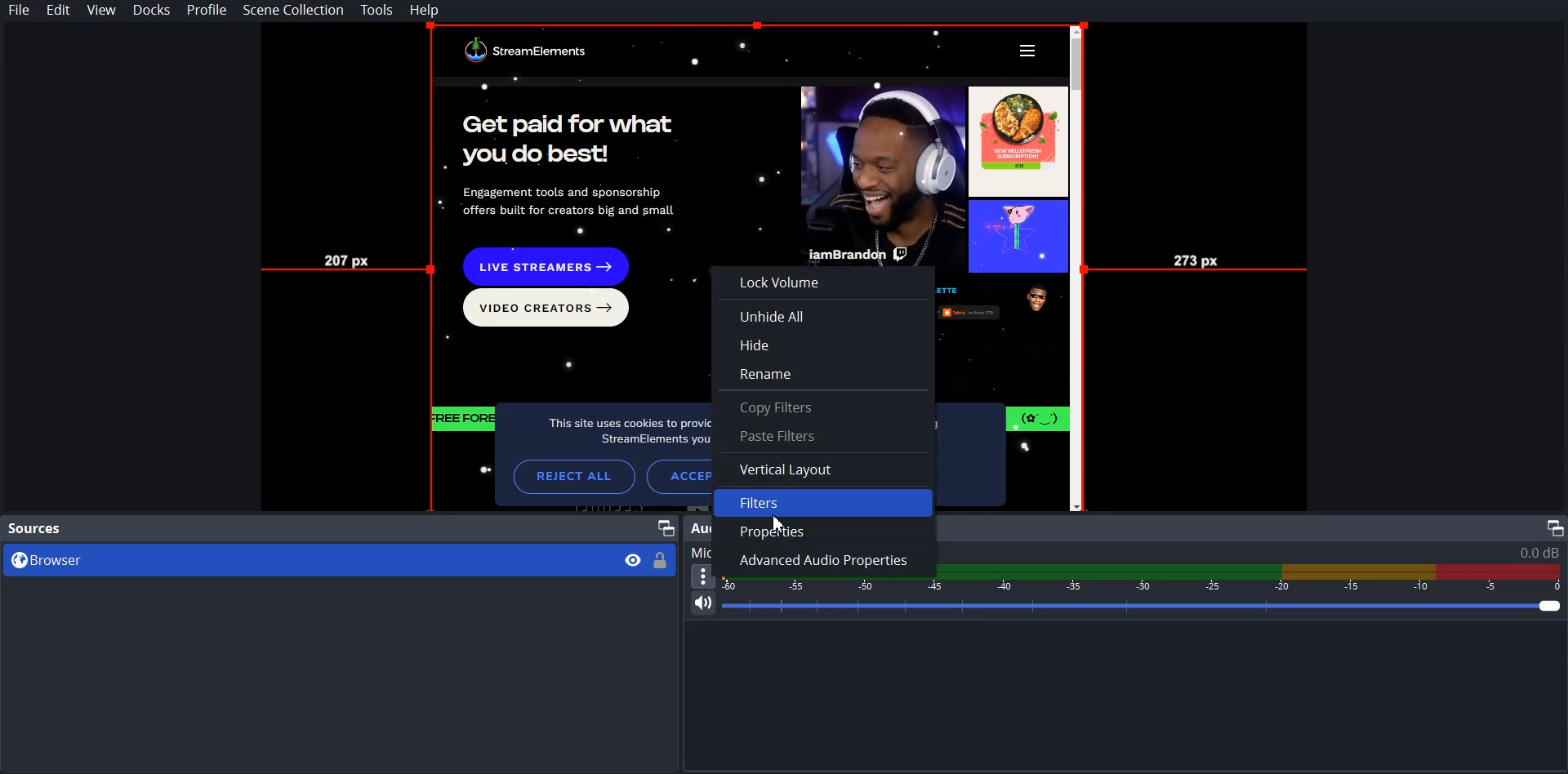  I want to click on Properties, so click(823, 532).